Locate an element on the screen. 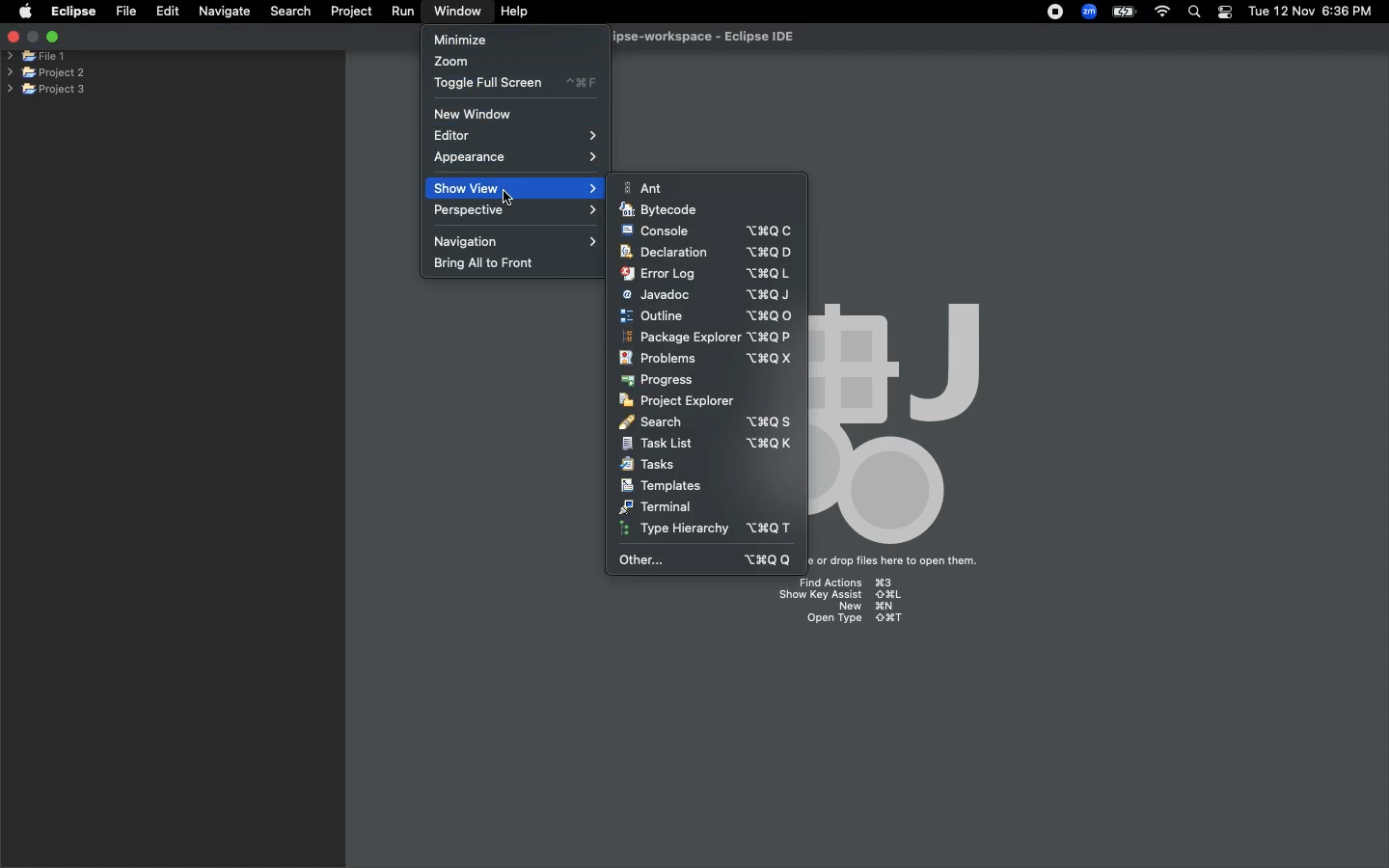  Notification is located at coordinates (1224, 13).